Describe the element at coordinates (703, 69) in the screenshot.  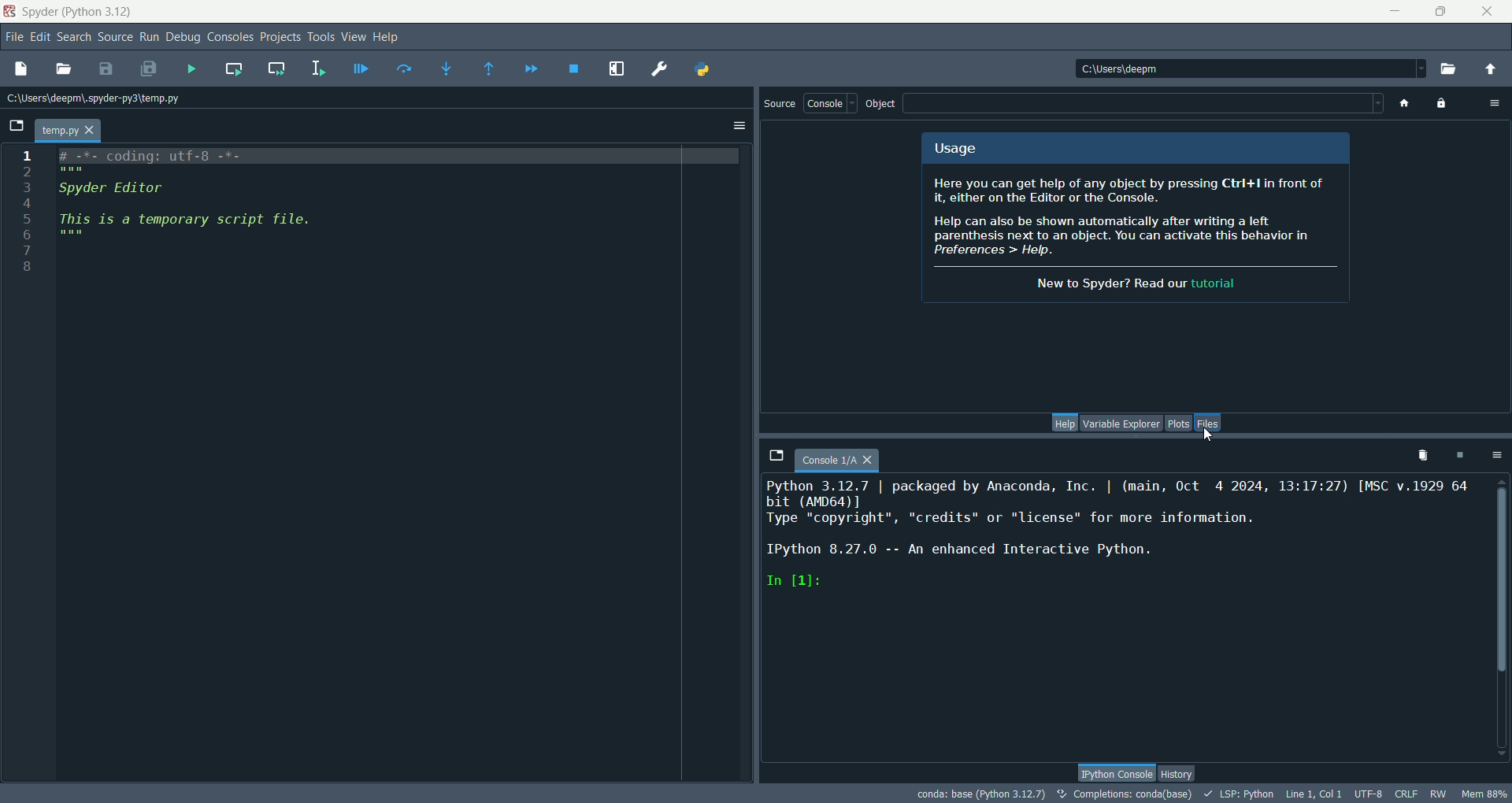
I see `Pythonpath manager` at that location.